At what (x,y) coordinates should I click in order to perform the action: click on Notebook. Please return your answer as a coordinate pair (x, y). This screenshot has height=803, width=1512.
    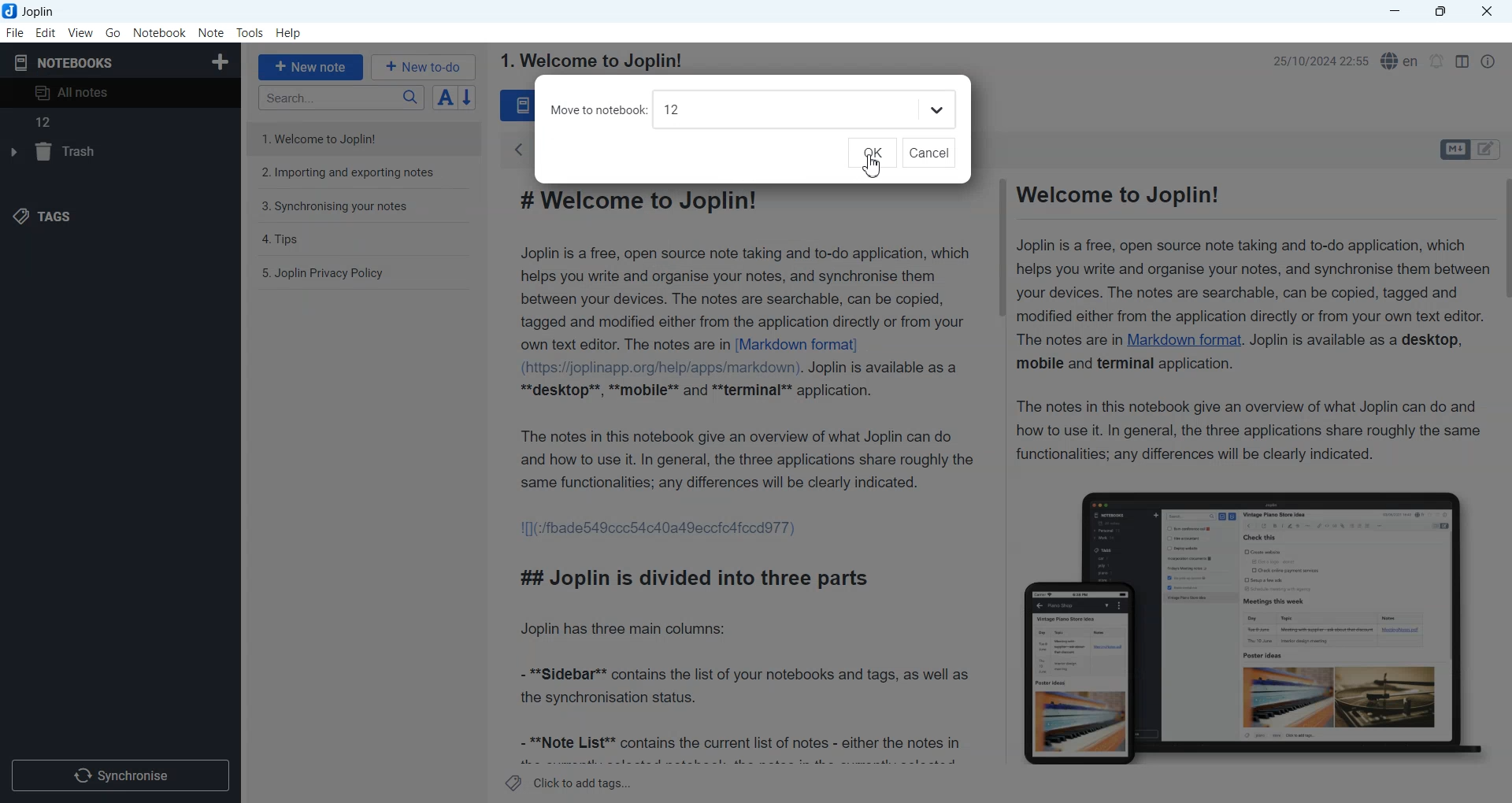
    Looking at the image, I should click on (160, 33).